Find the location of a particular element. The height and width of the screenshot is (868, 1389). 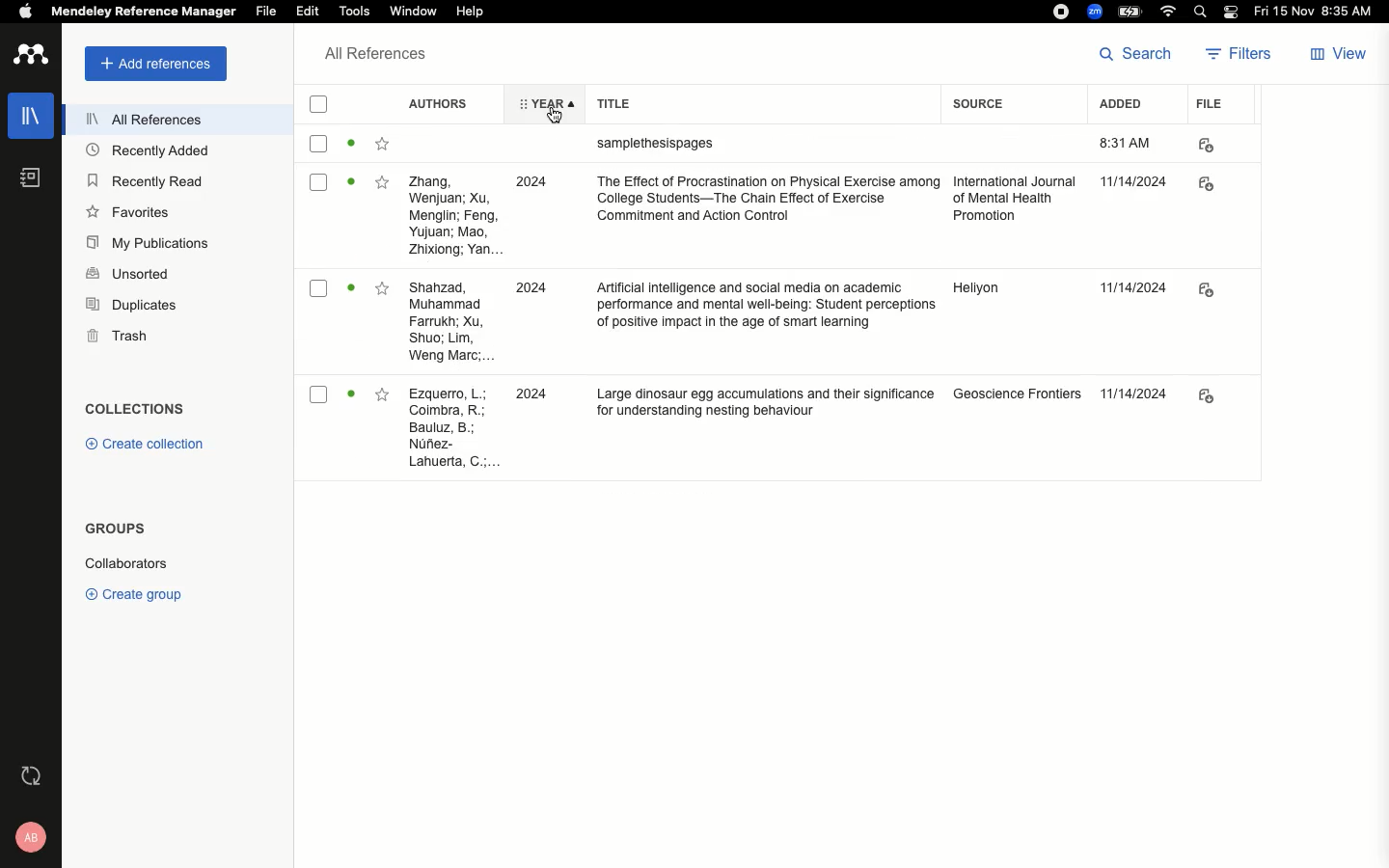

authors name is located at coordinates (456, 214).